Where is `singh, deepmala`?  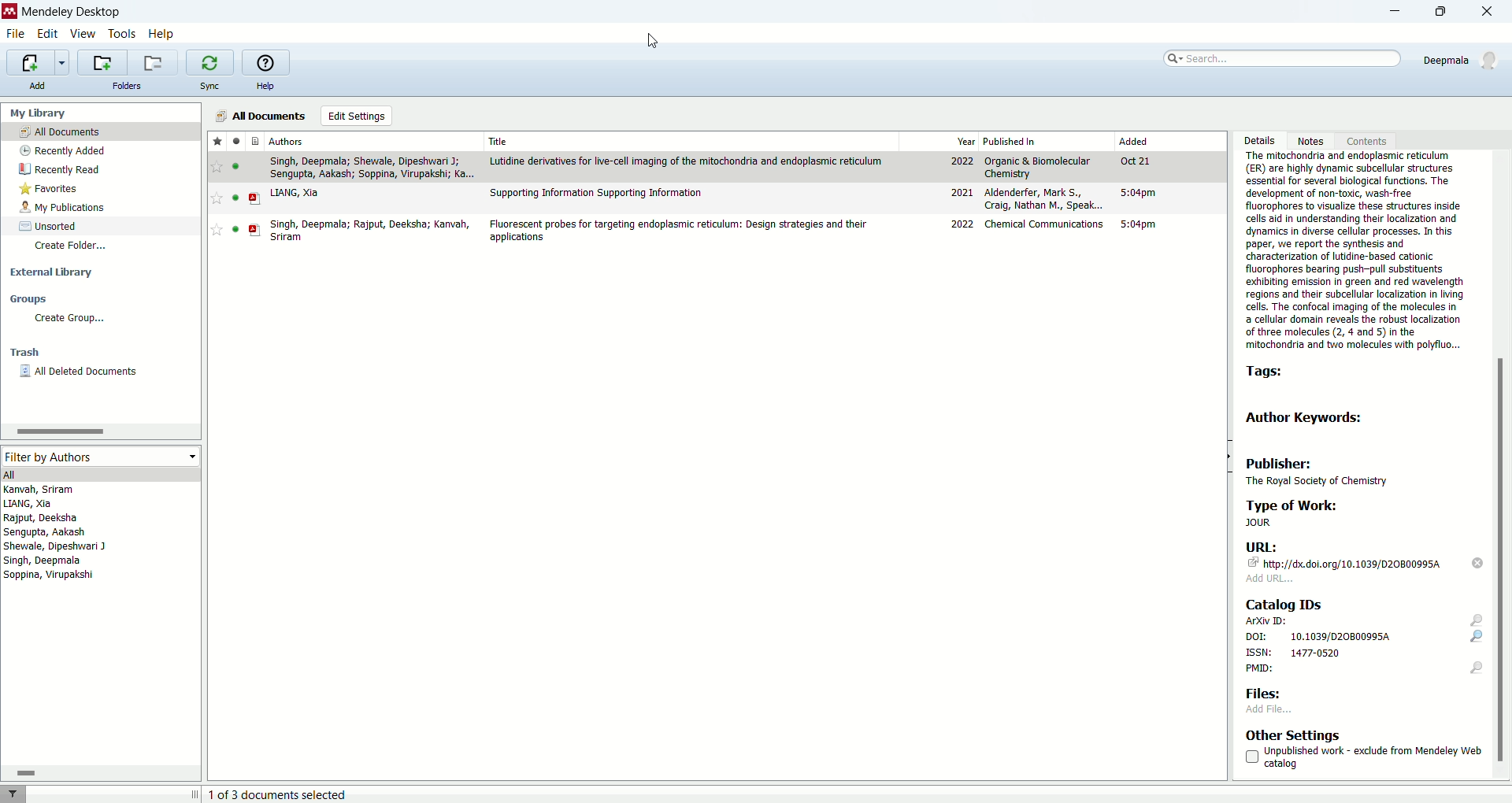
singh, deepmala is located at coordinates (44, 561).